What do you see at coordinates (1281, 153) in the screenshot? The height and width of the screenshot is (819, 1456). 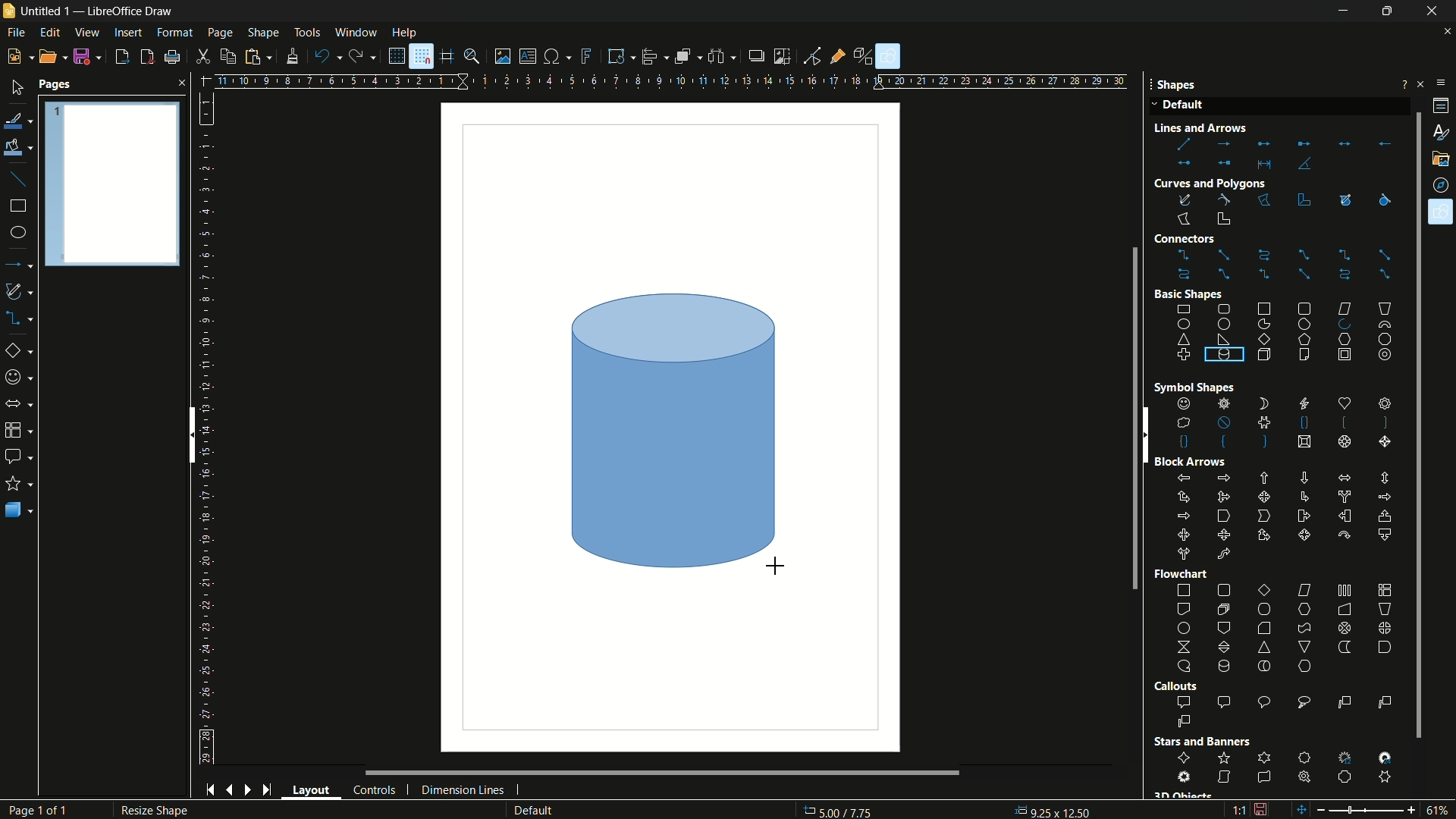 I see `lines and arrows` at bounding box center [1281, 153].